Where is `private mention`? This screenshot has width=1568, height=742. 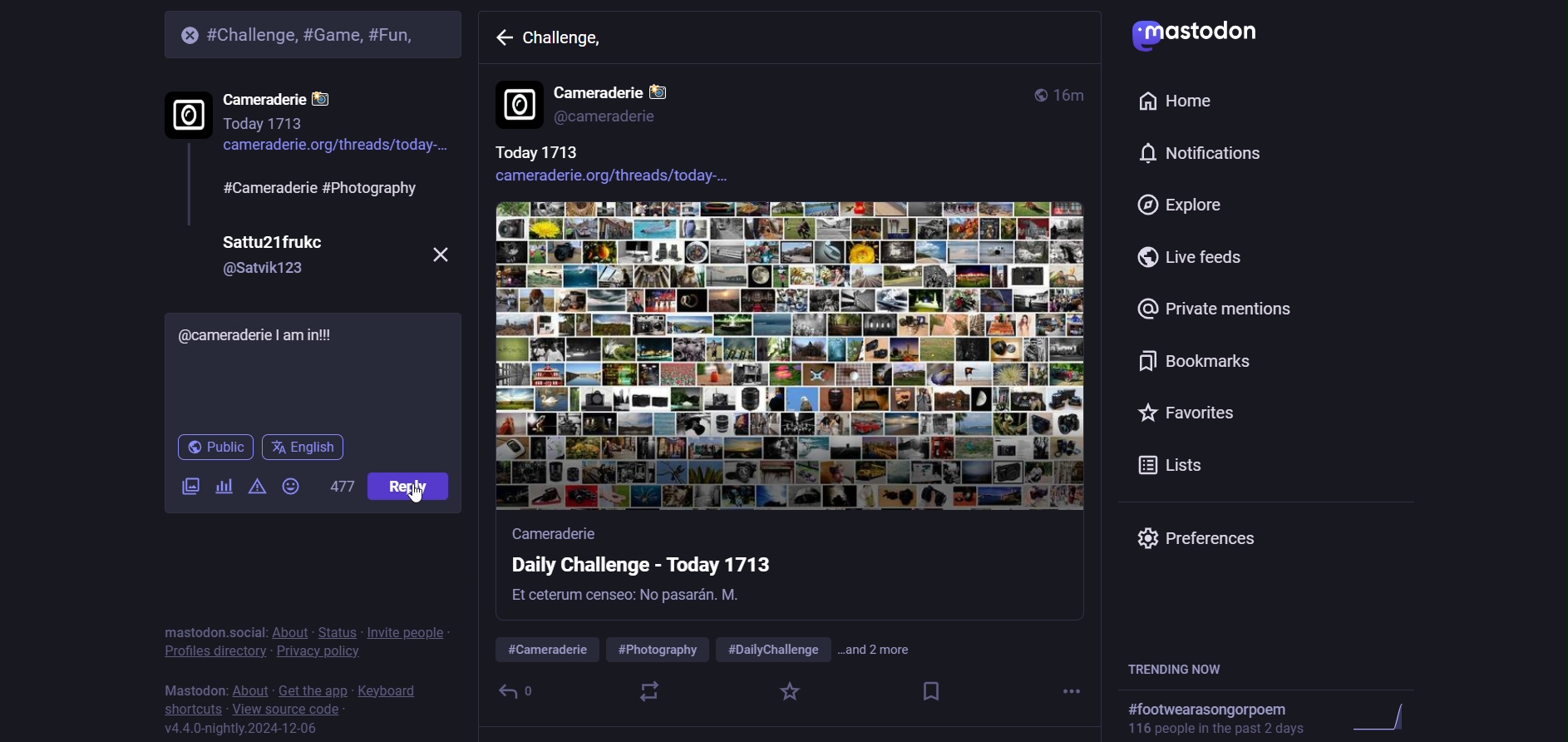
private mention is located at coordinates (1215, 309).